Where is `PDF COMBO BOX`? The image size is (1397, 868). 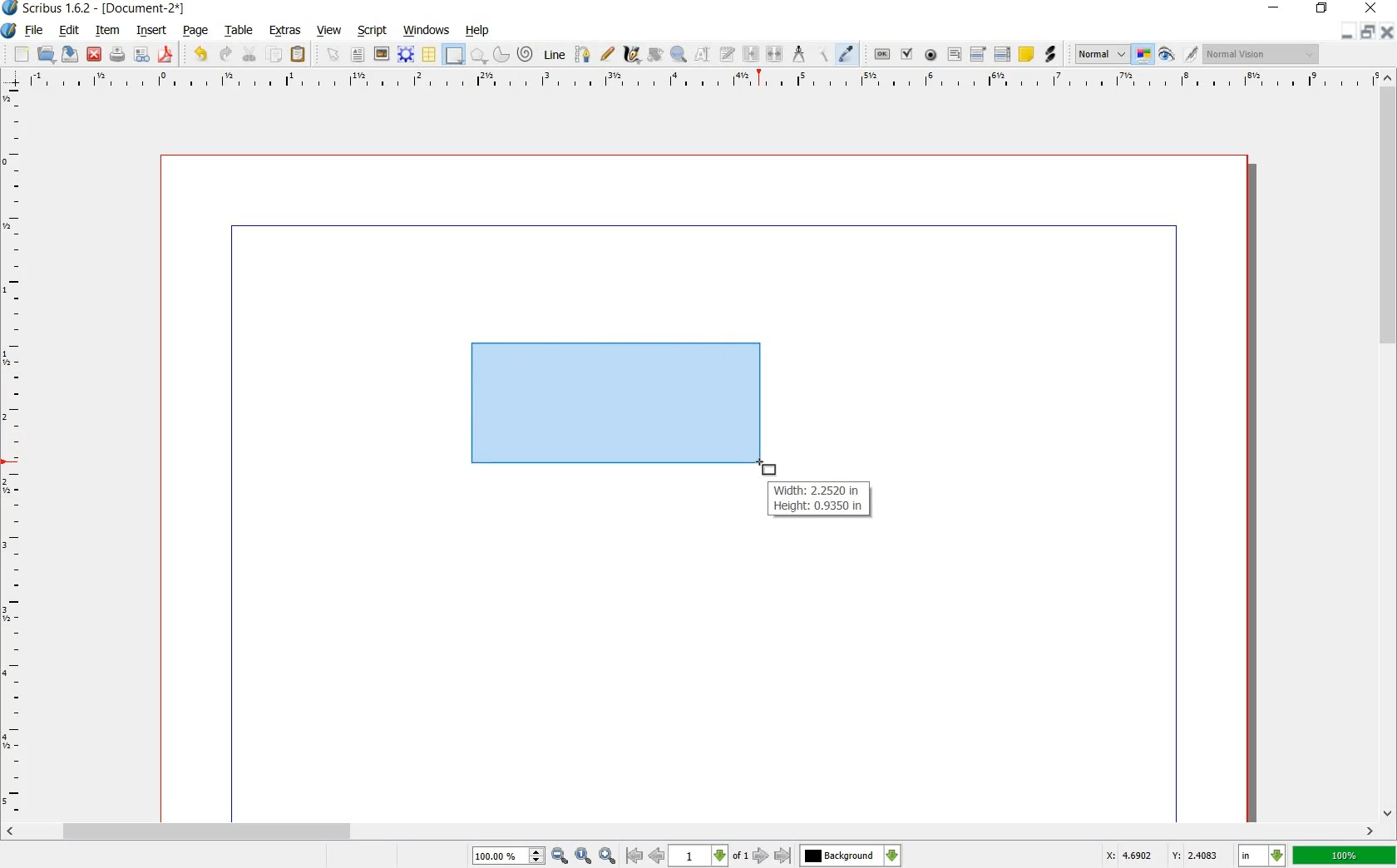 PDF COMBO BOX is located at coordinates (977, 53).